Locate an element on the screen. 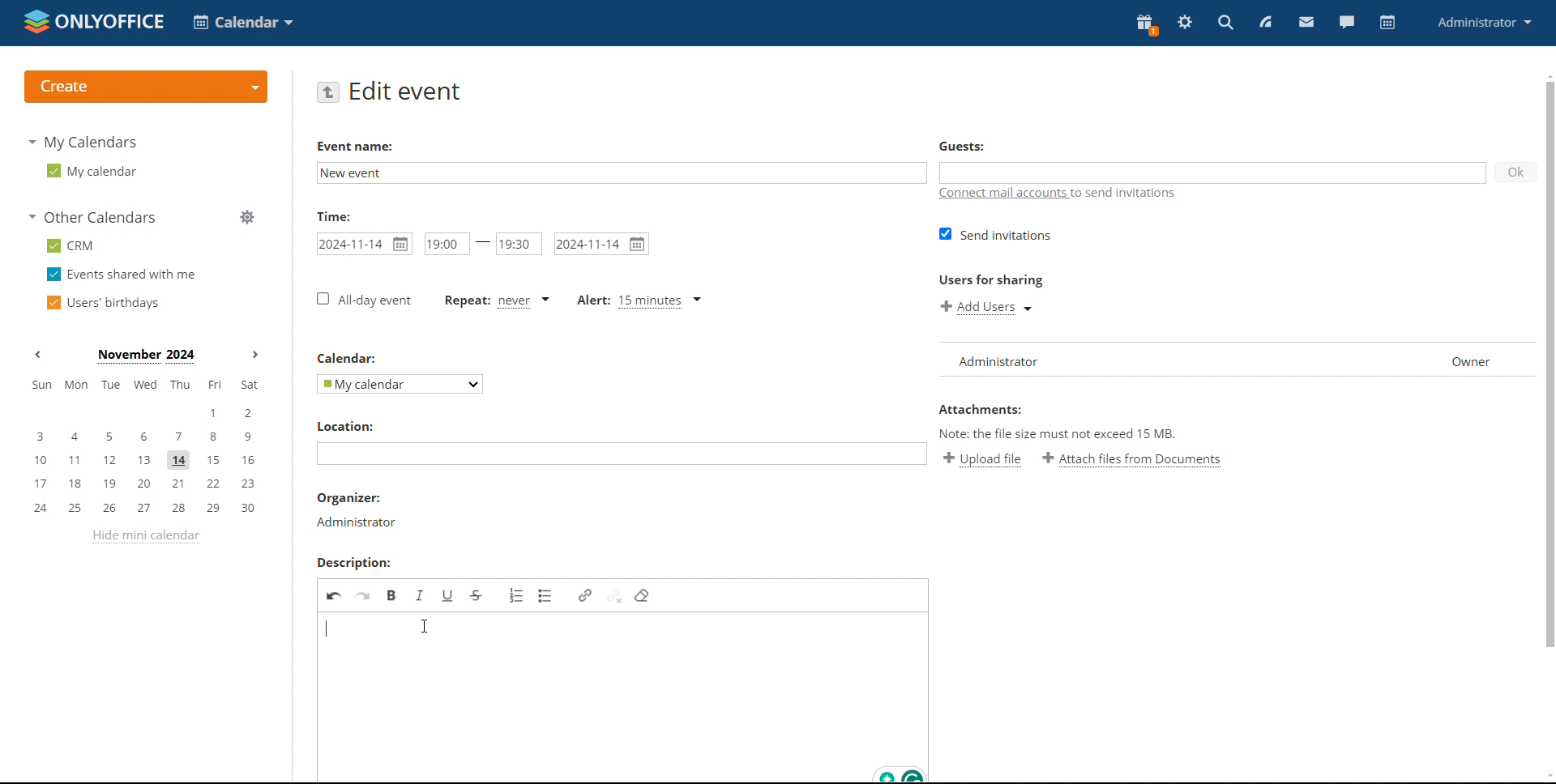 The height and width of the screenshot is (784, 1556). start time is located at coordinates (447, 245).